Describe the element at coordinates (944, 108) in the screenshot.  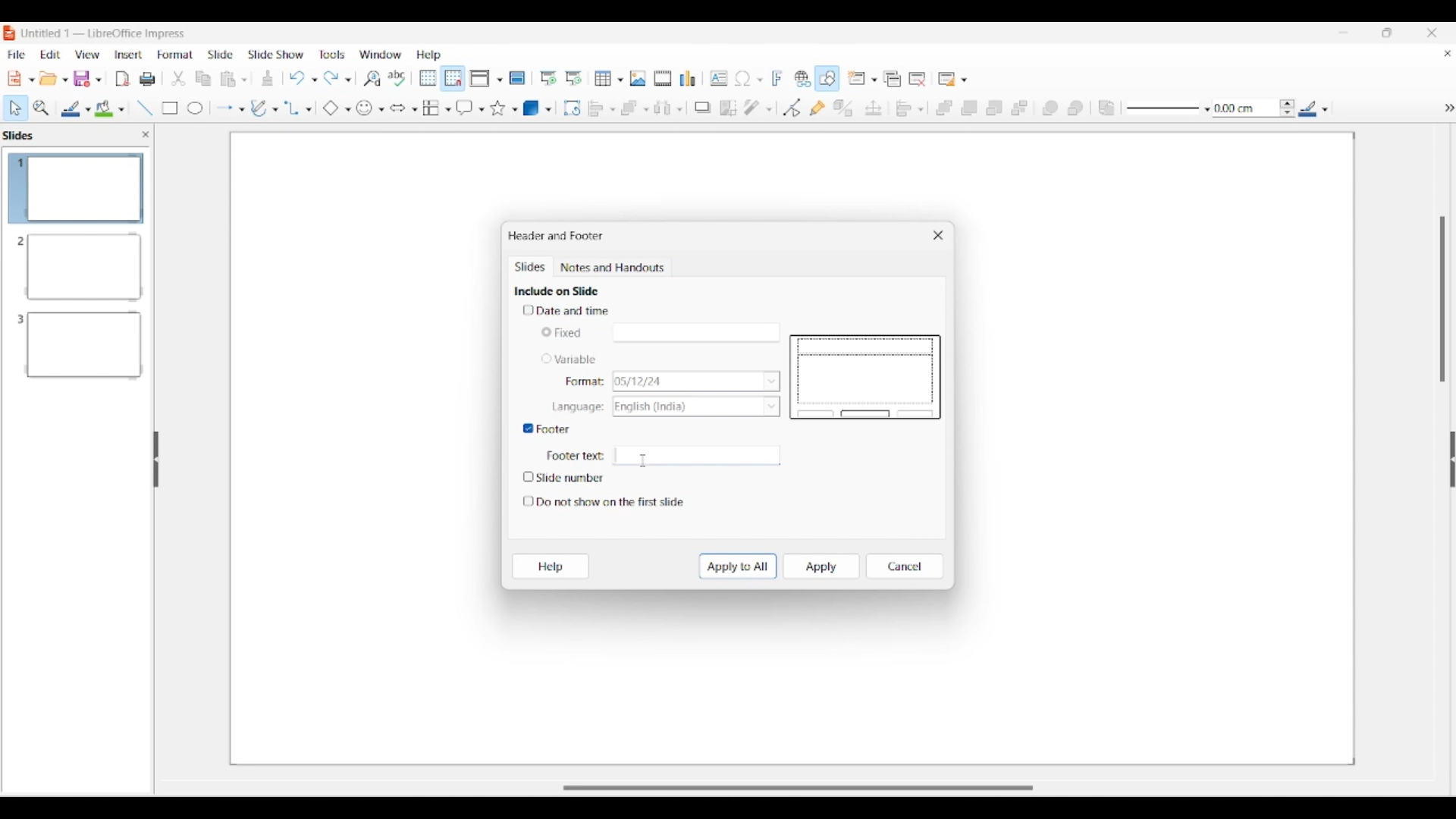
I see `Bring to front` at that location.